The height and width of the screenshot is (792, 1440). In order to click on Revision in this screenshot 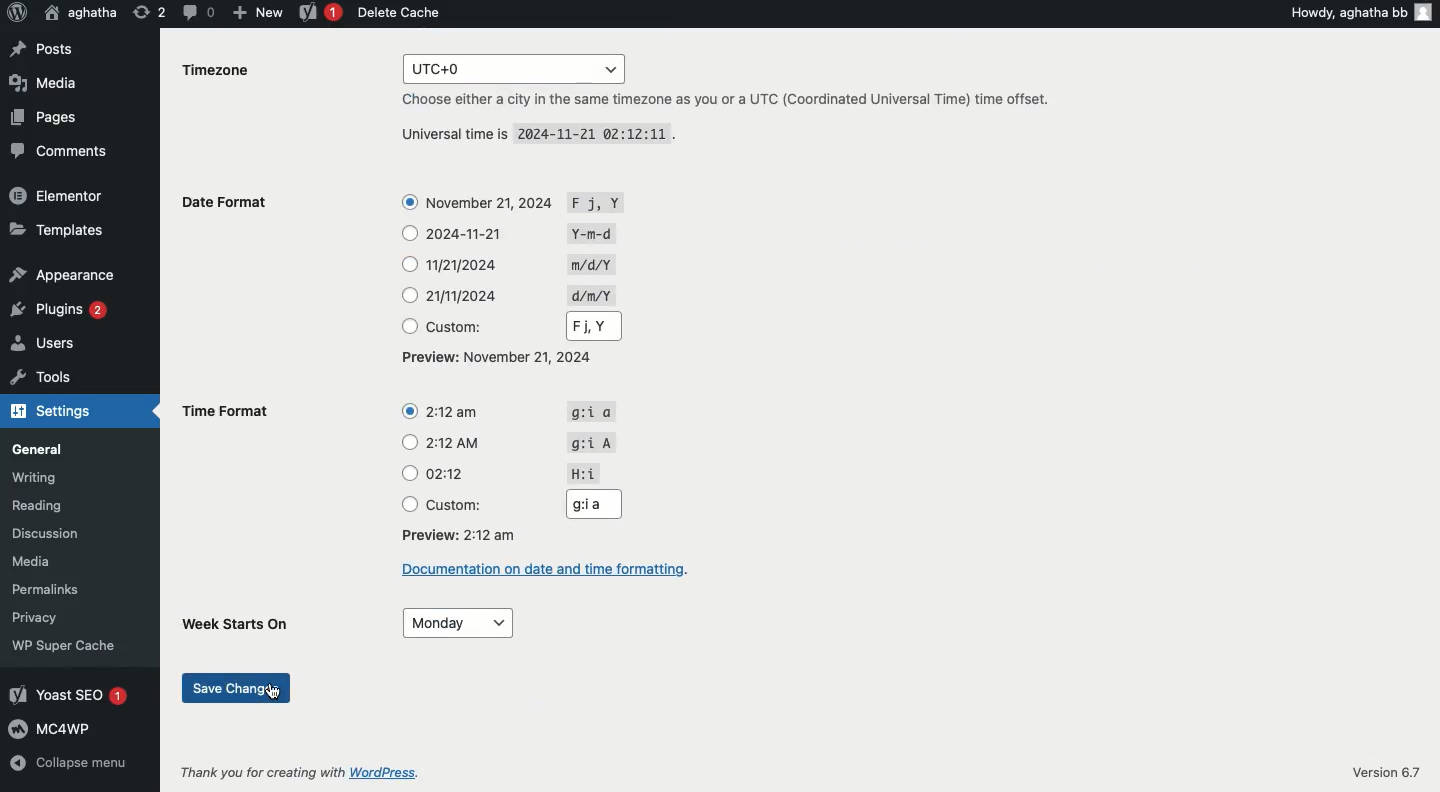, I will do `click(145, 14)`.